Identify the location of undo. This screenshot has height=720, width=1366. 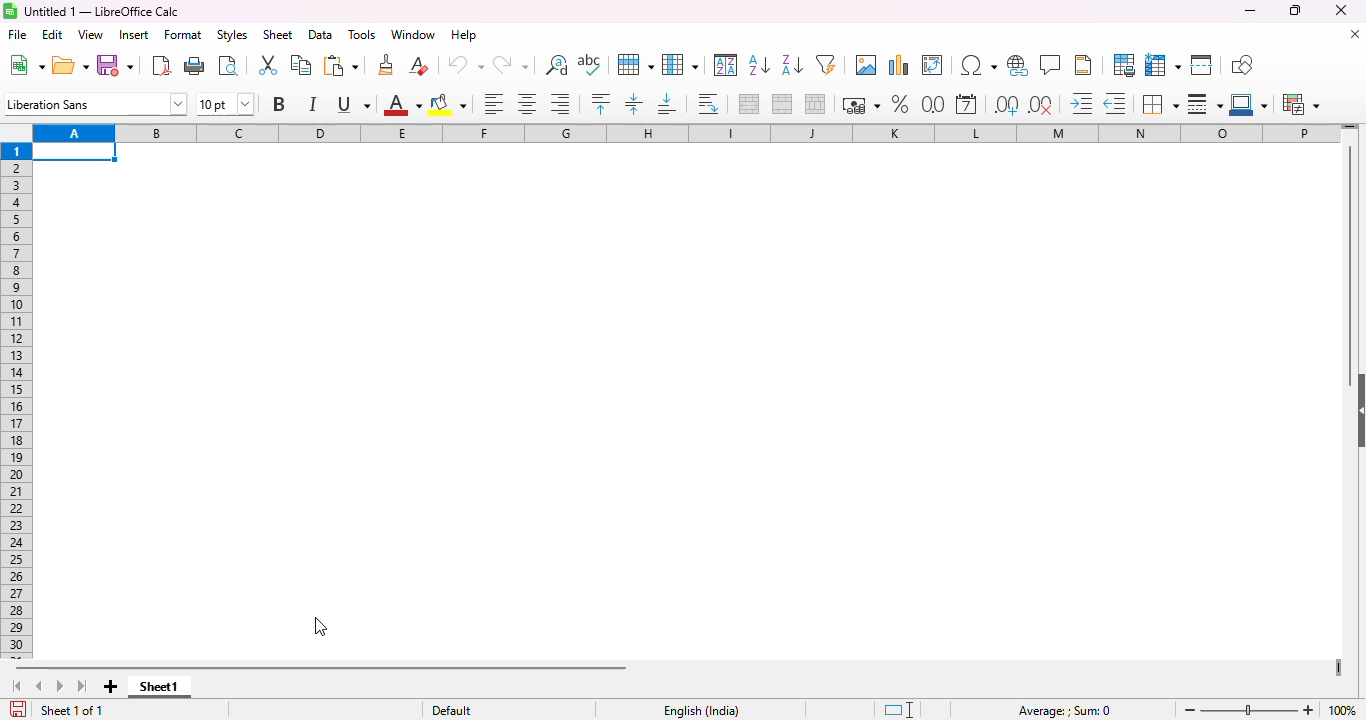
(465, 65).